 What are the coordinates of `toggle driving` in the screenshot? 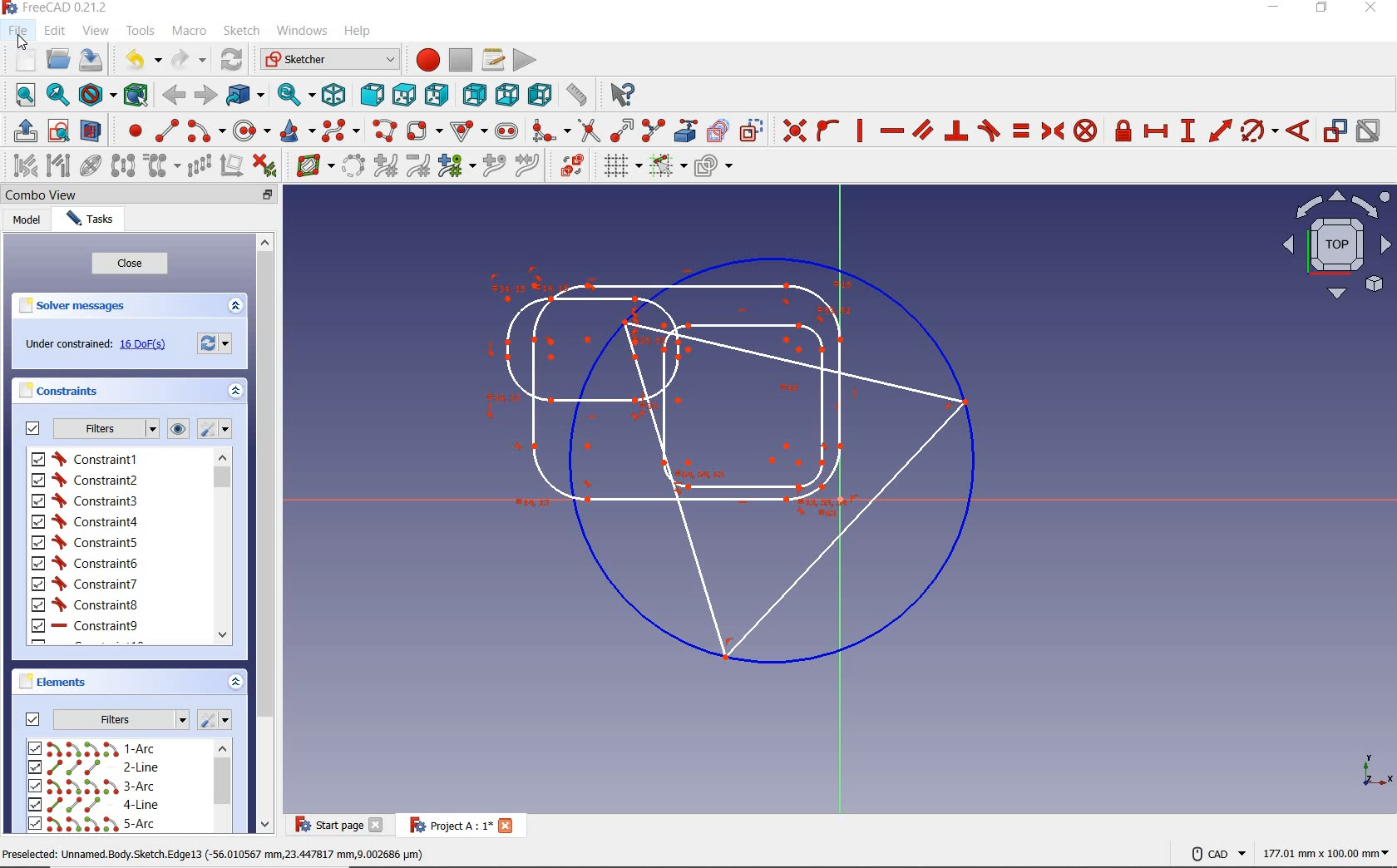 It's located at (1335, 131).